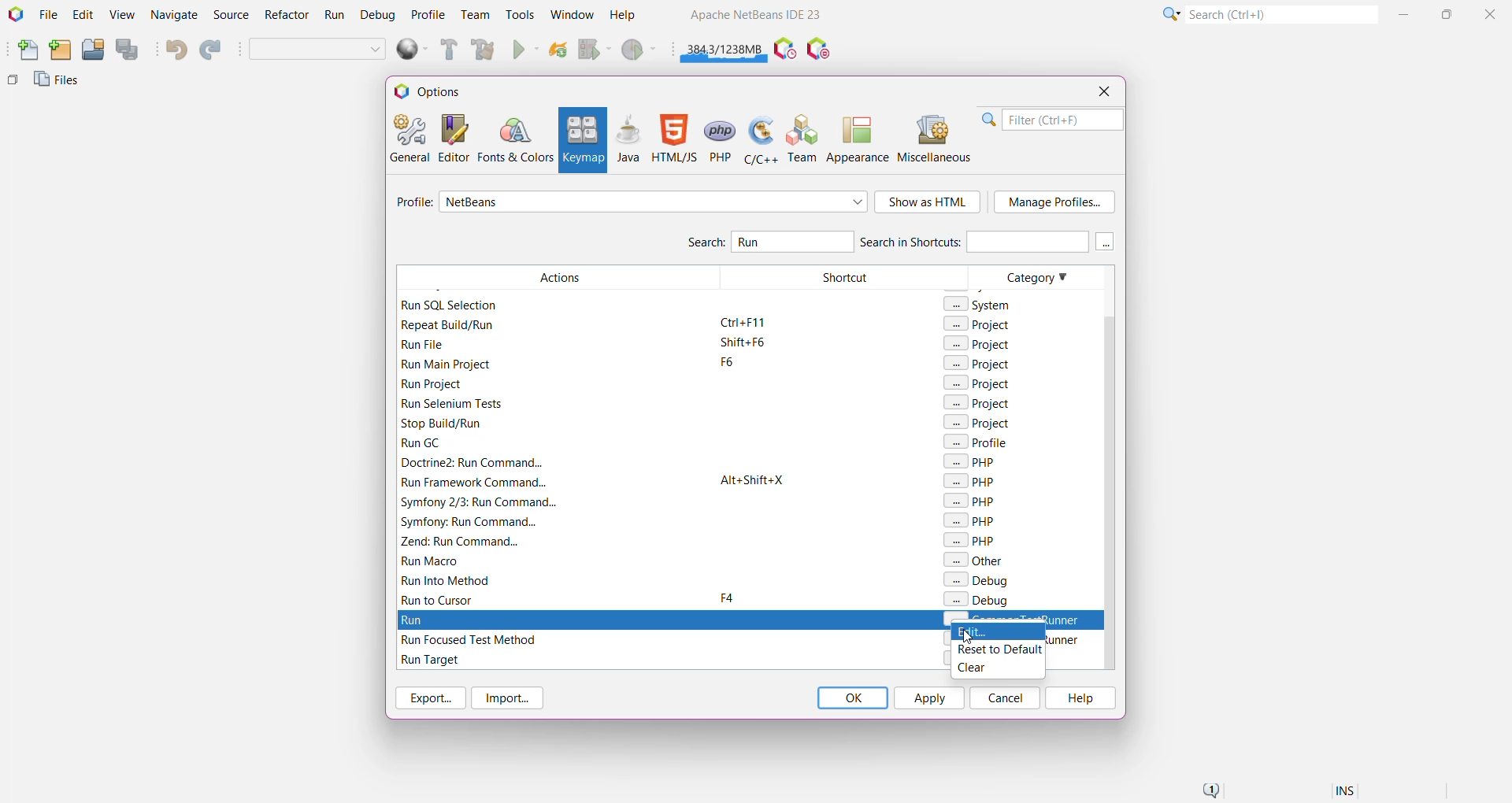 The width and height of the screenshot is (1512, 803). Describe the element at coordinates (936, 139) in the screenshot. I see `Miscellaneous` at that location.